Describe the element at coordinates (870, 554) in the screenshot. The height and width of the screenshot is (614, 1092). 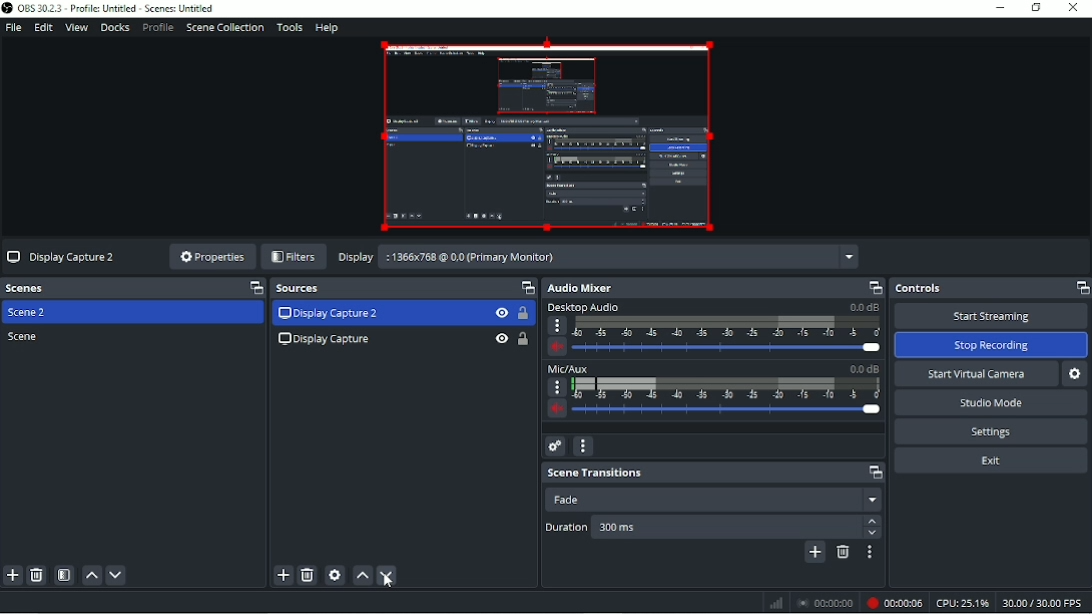
I see `Transition properties` at that location.